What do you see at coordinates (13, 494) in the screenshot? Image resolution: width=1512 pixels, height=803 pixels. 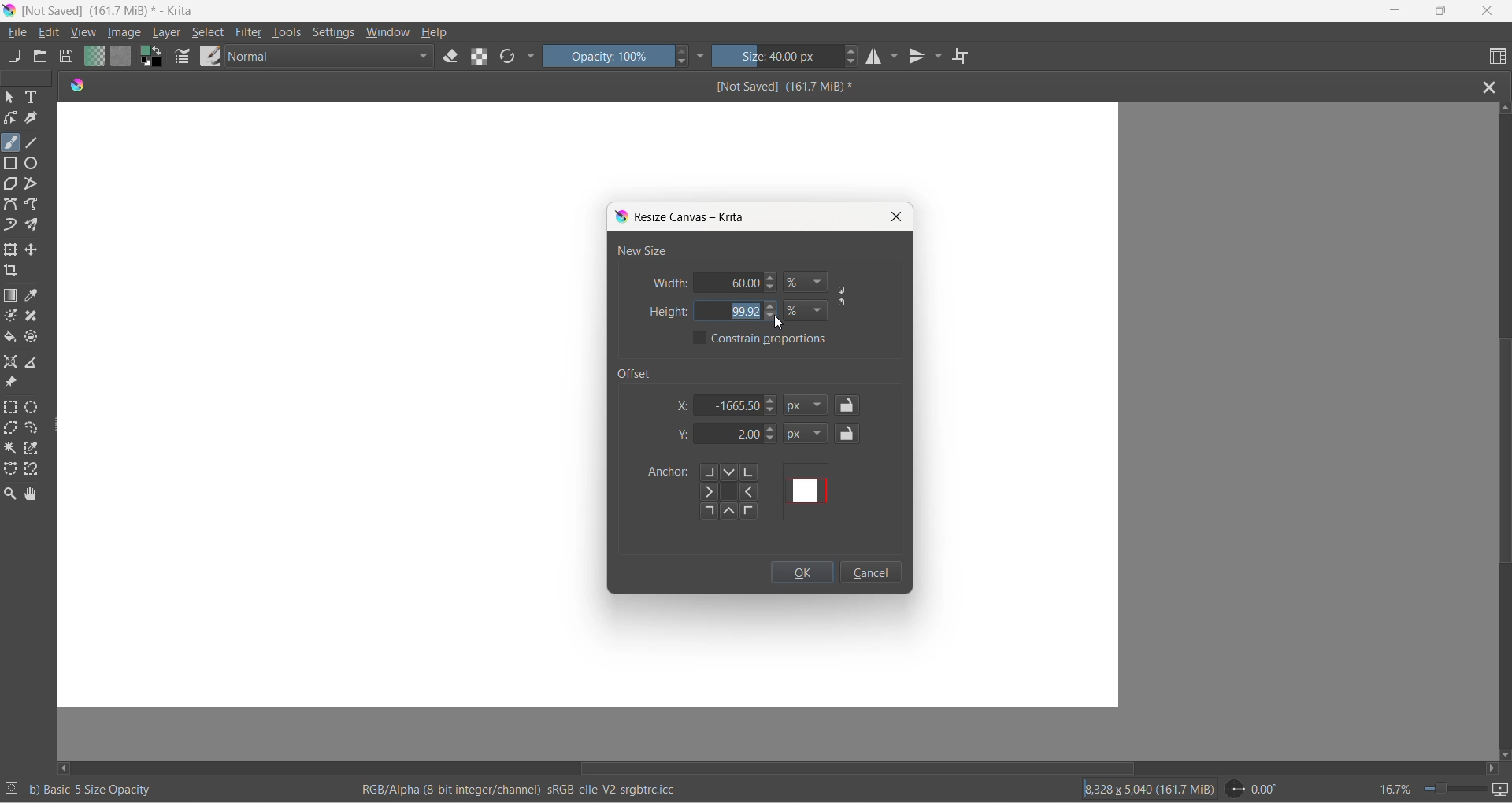 I see `zoom tool` at bounding box center [13, 494].